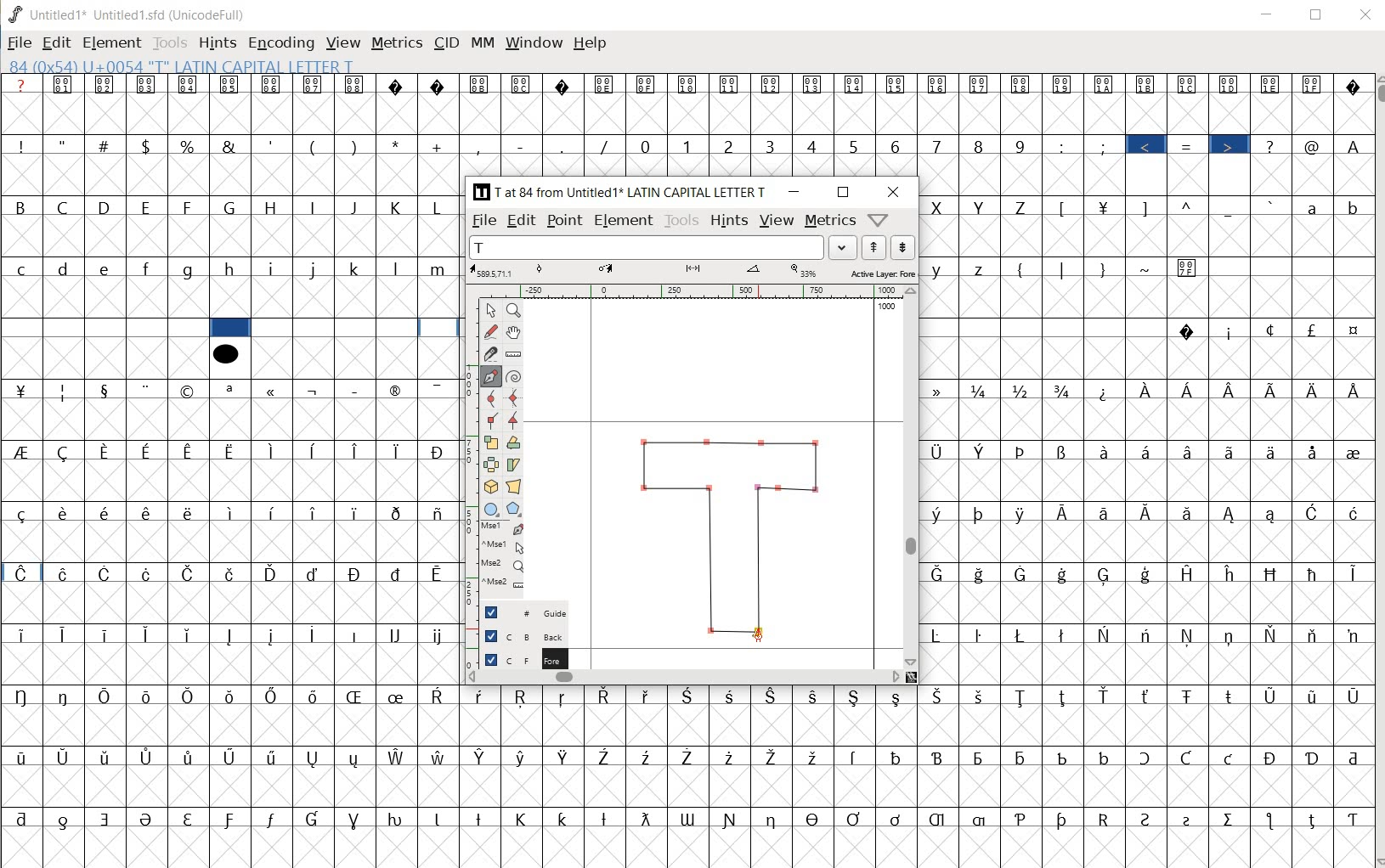 The image size is (1385, 868). What do you see at coordinates (20, 572) in the screenshot?
I see `Symbol` at bounding box center [20, 572].